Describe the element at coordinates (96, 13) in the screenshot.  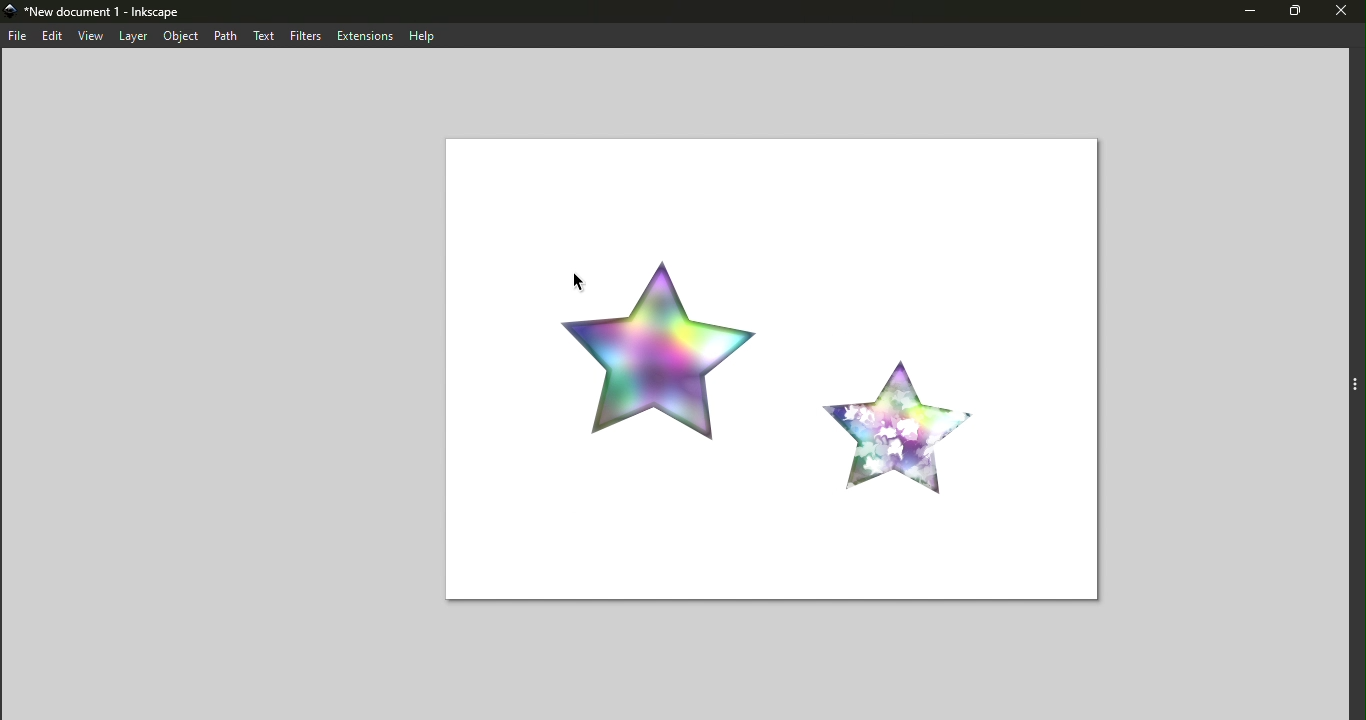
I see `New document 1 - Inkscape` at that location.